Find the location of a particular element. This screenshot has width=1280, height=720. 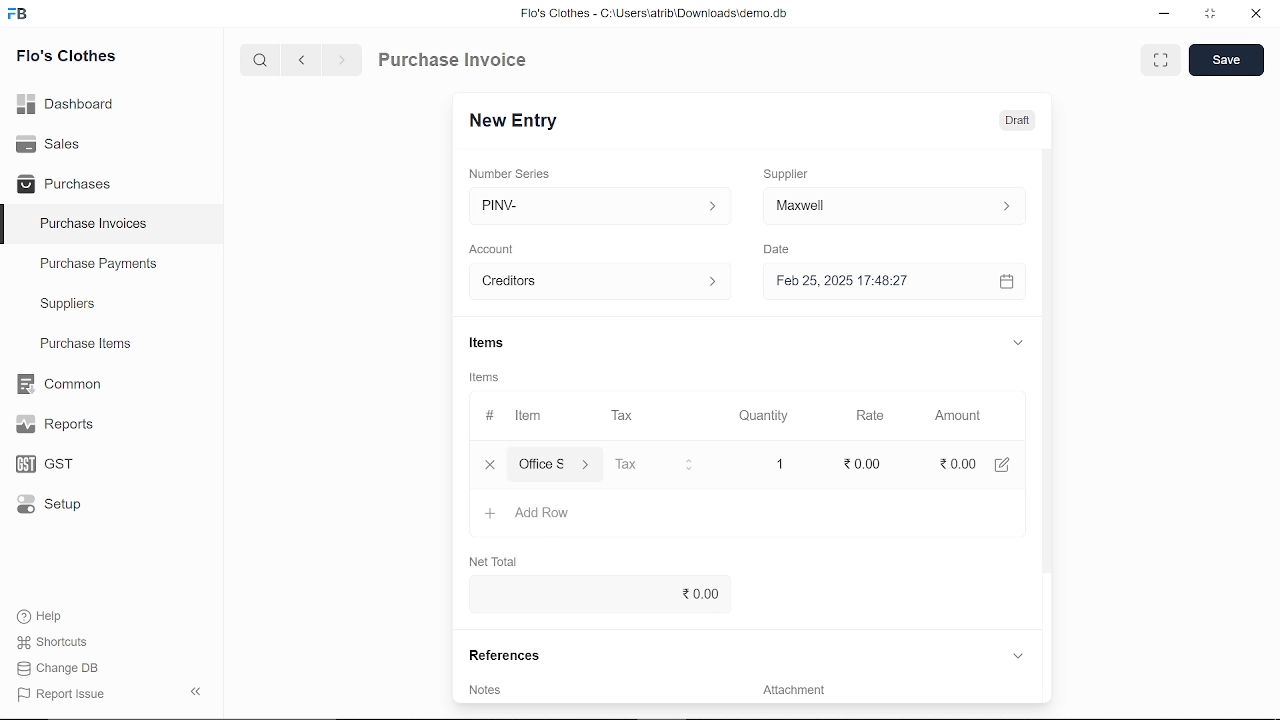

expand is located at coordinates (1018, 345).